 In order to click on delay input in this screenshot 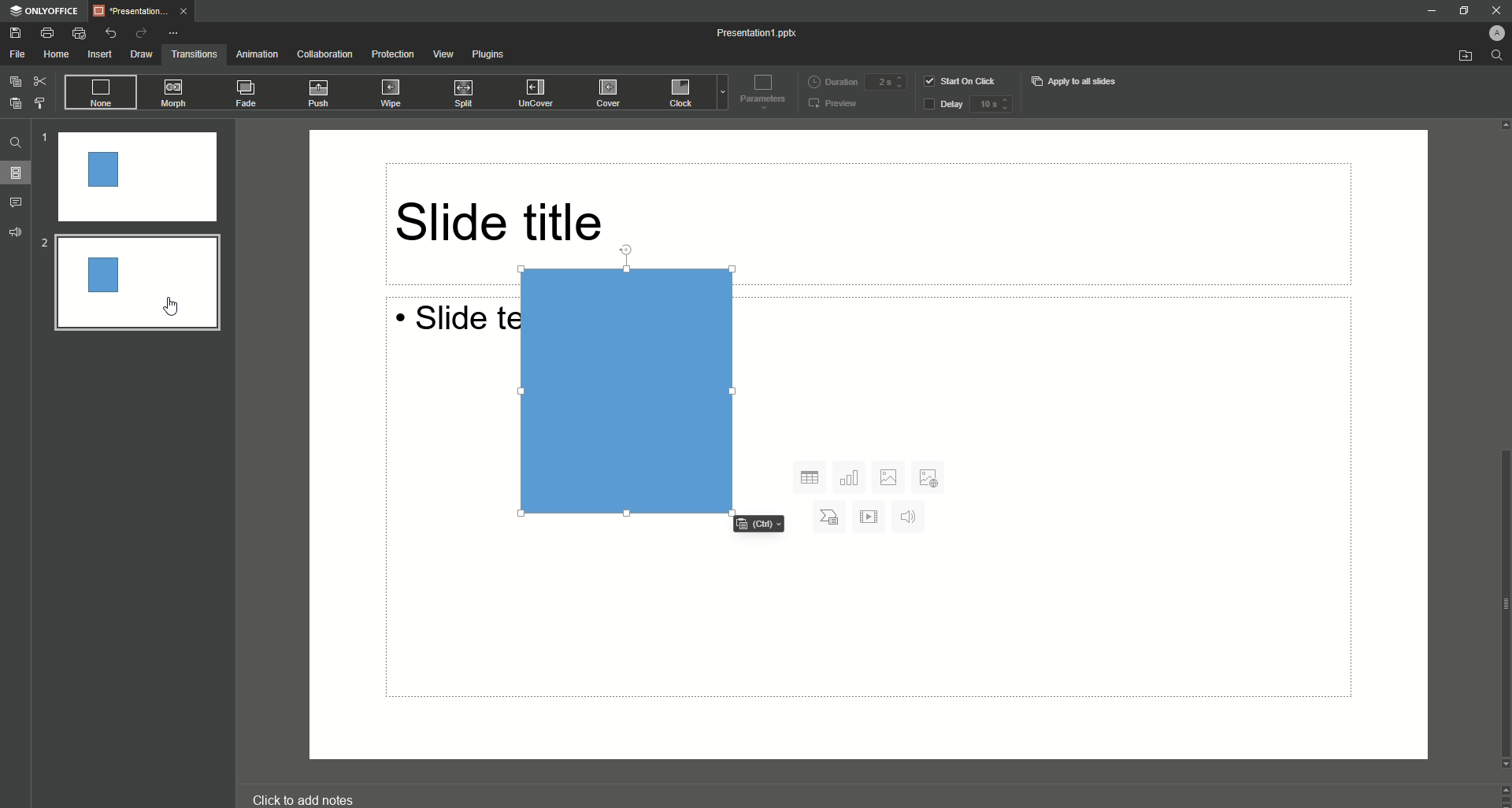, I will do `click(995, 106)`.